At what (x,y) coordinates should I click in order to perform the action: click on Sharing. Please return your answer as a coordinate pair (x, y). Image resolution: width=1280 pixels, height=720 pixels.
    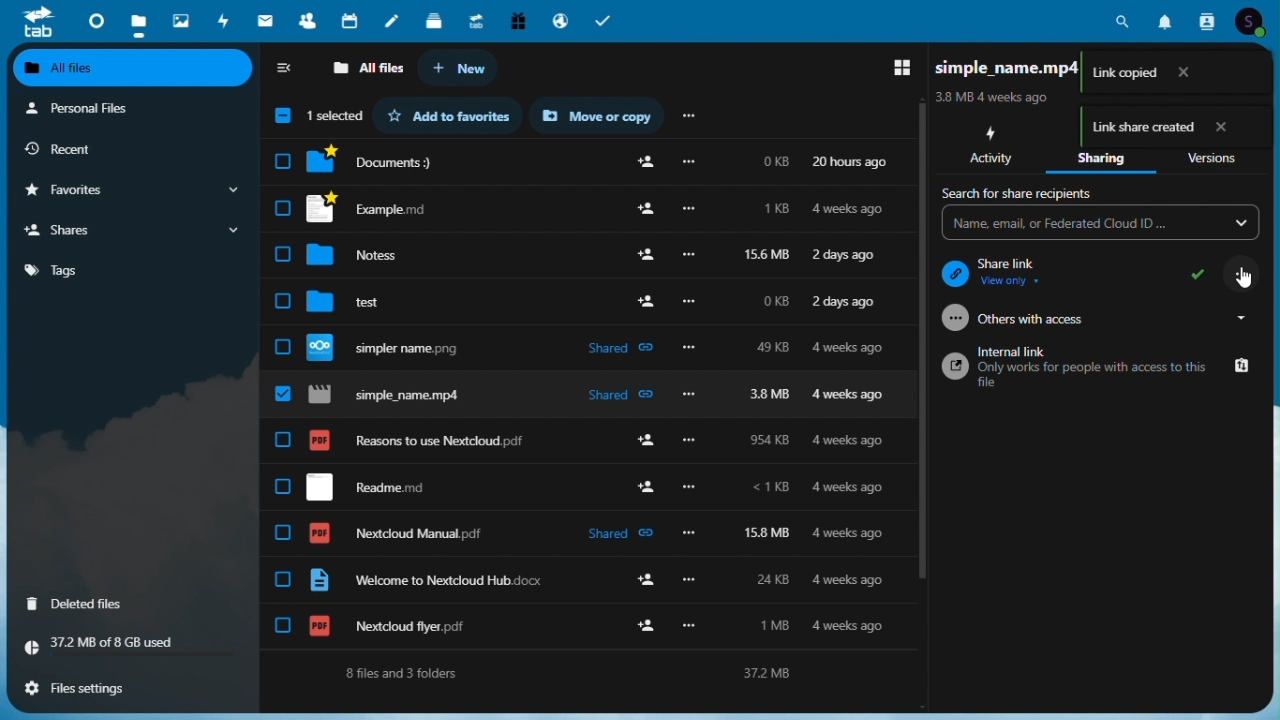
    Looking at the image, I should click on (1101, 149).